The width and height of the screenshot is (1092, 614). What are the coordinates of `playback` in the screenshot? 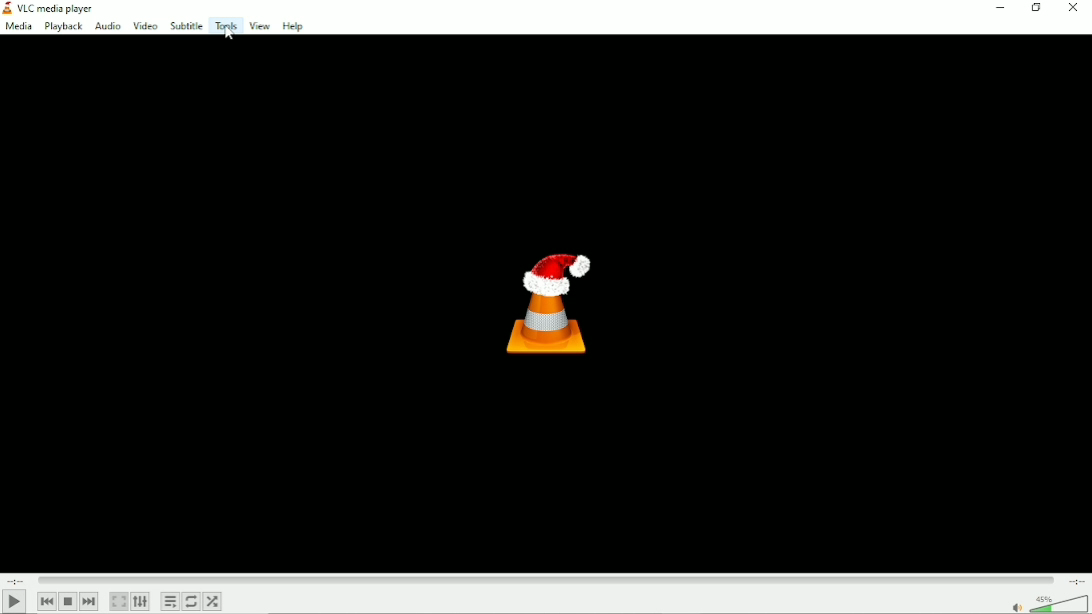 It's located at (64, 27).